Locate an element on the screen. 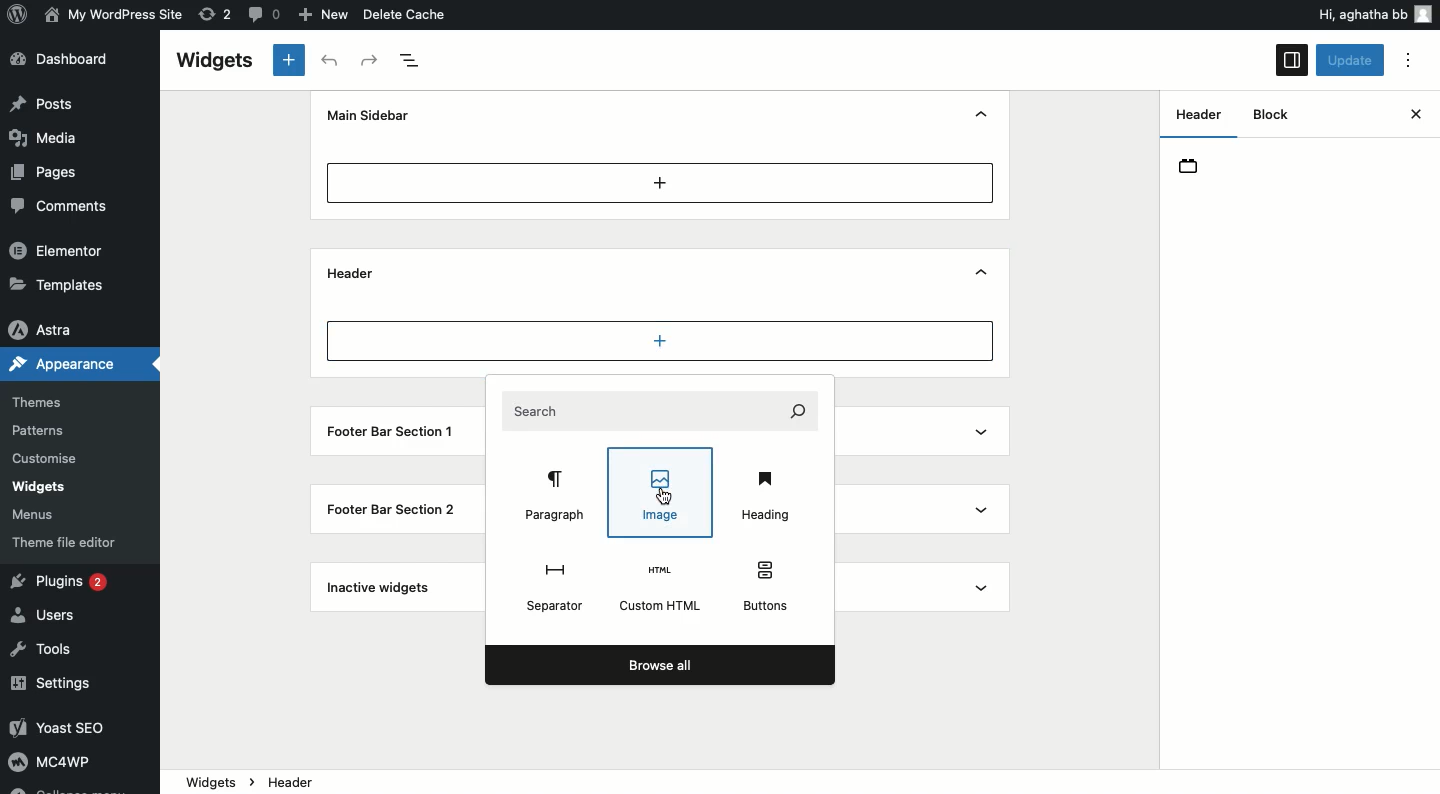  Collapse menu is located at coordinates (66, 788).